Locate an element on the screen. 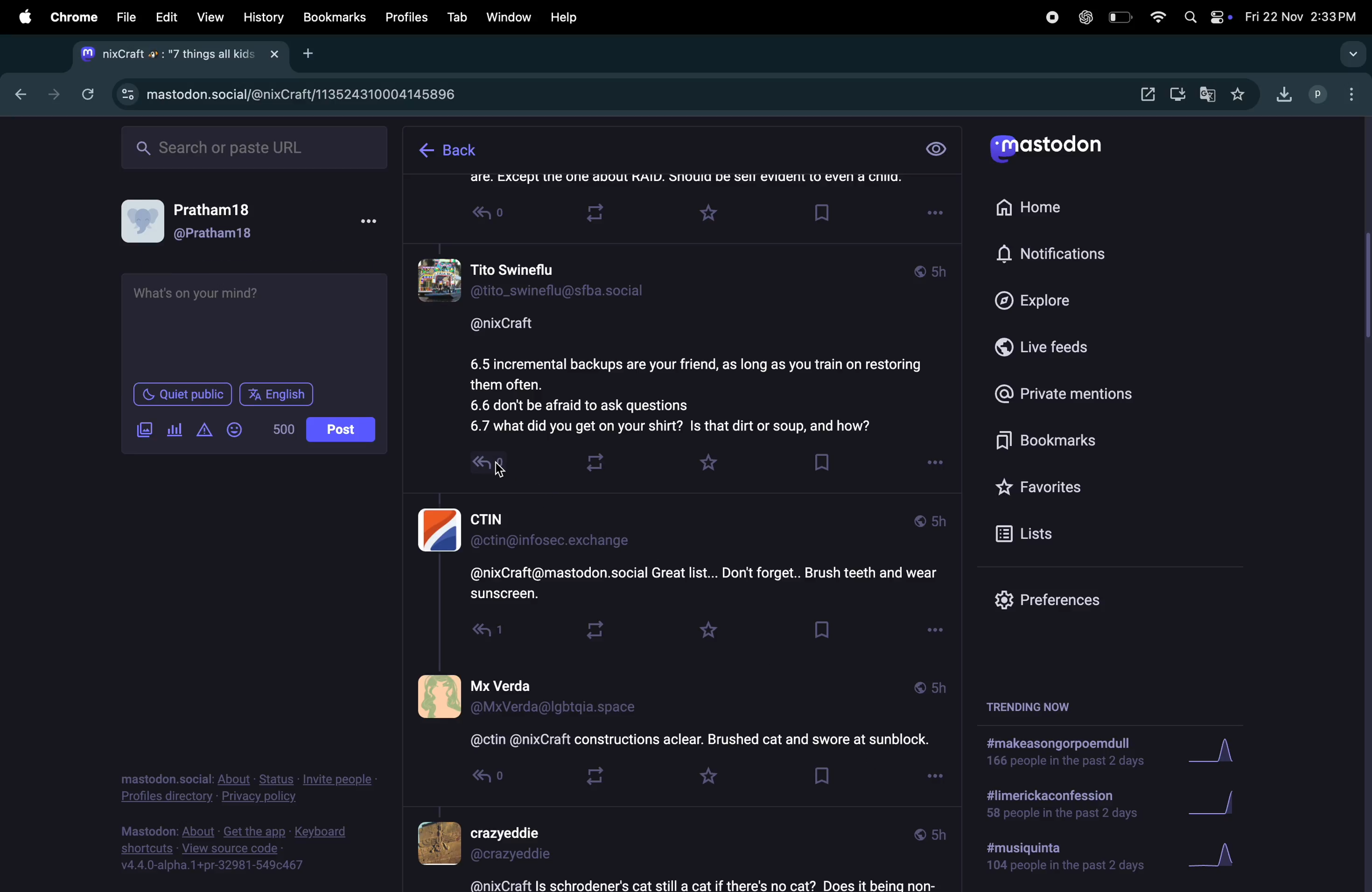  favourites is located at coordinates (1076, 490).